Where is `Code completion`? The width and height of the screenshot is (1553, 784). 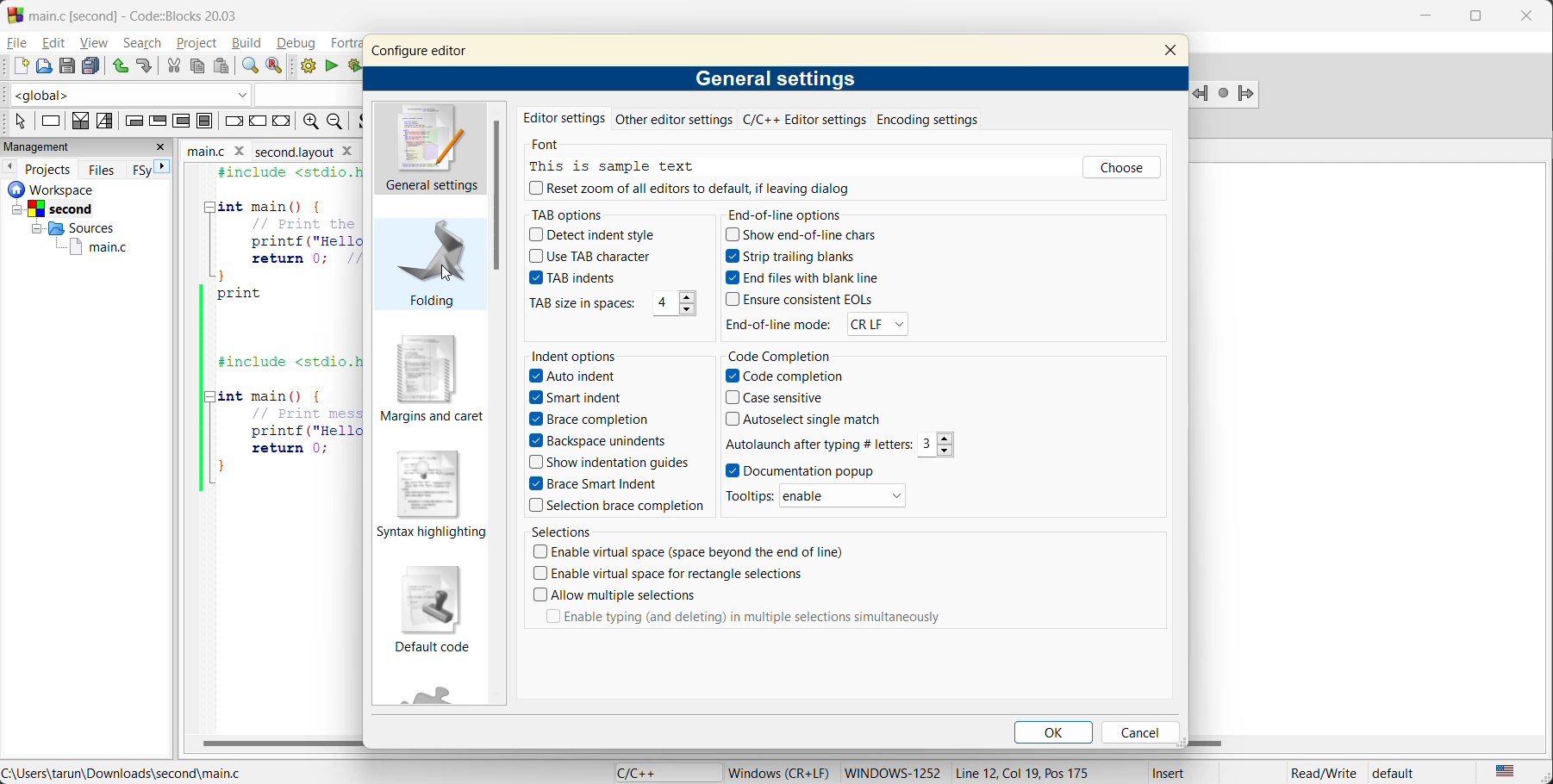 Code completion is located at coordinates (795, 376).